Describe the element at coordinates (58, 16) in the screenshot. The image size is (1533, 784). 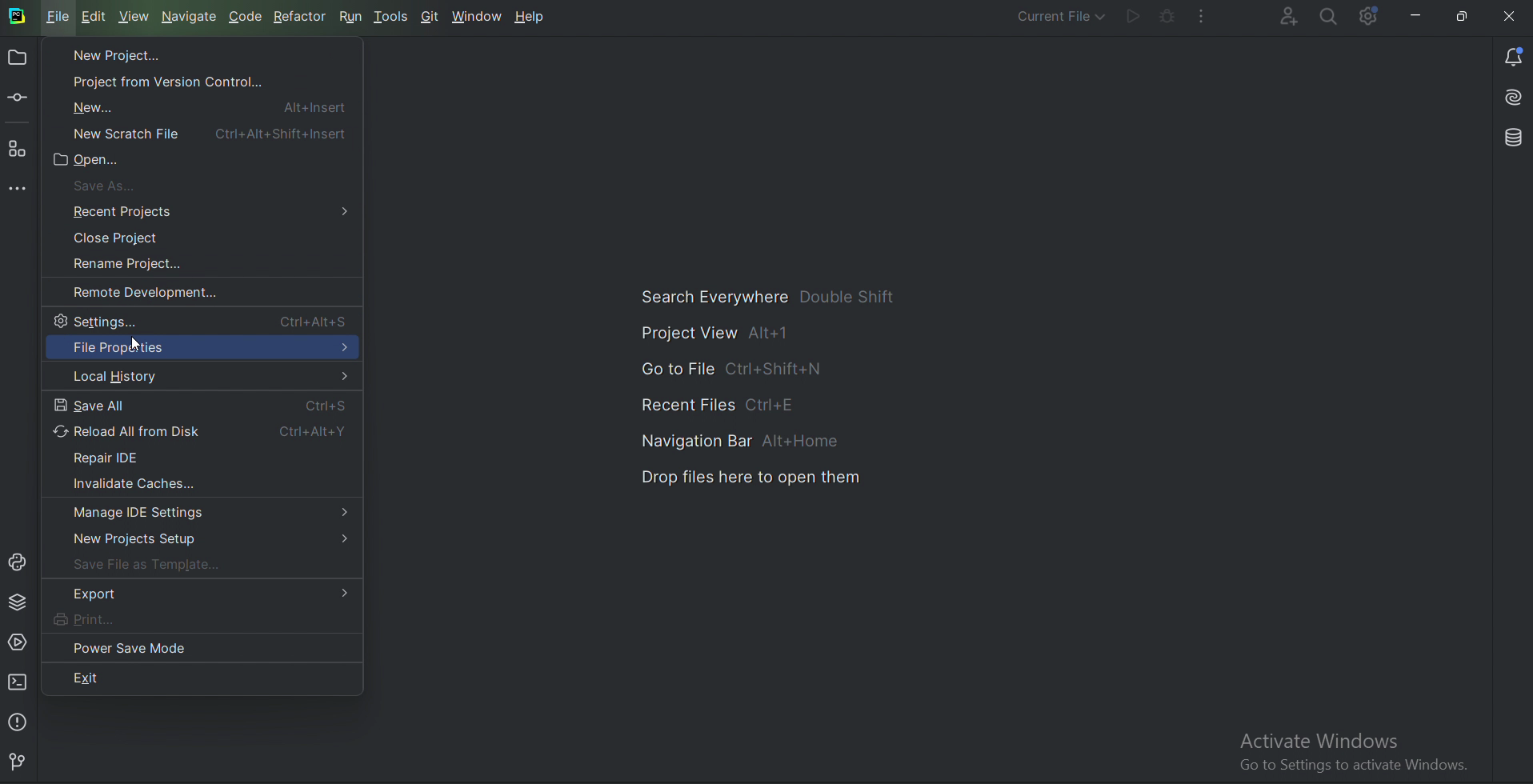
I see `File` at that location.